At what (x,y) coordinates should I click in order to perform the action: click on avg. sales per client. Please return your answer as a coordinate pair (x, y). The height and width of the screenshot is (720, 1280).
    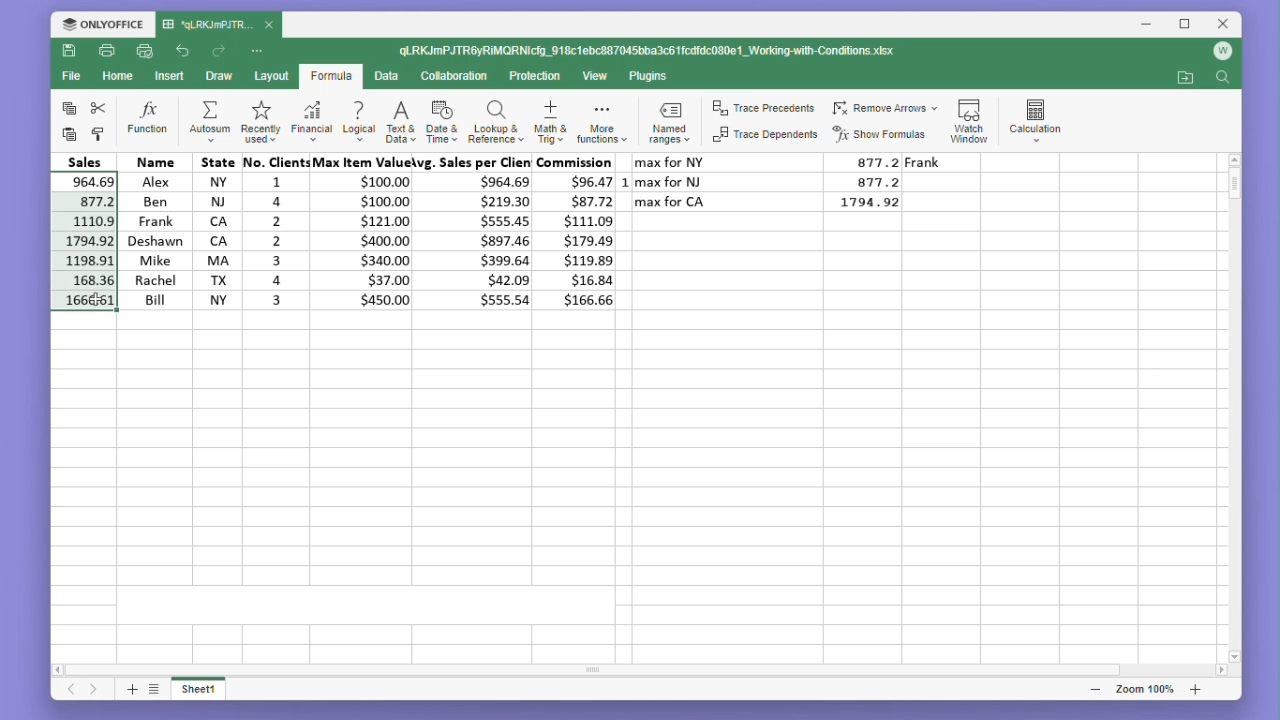
    Looking at the image, I should click on (477, 231).